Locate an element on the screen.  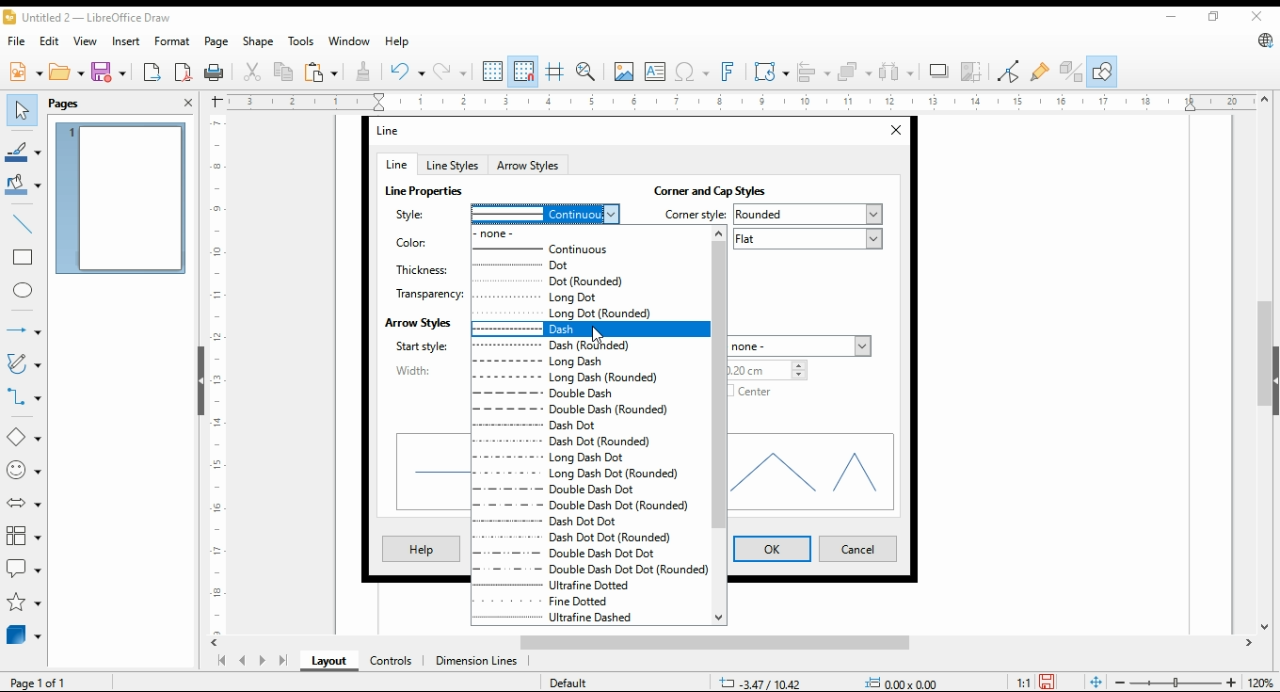
fine dotted is located at coordinates (589, 600).